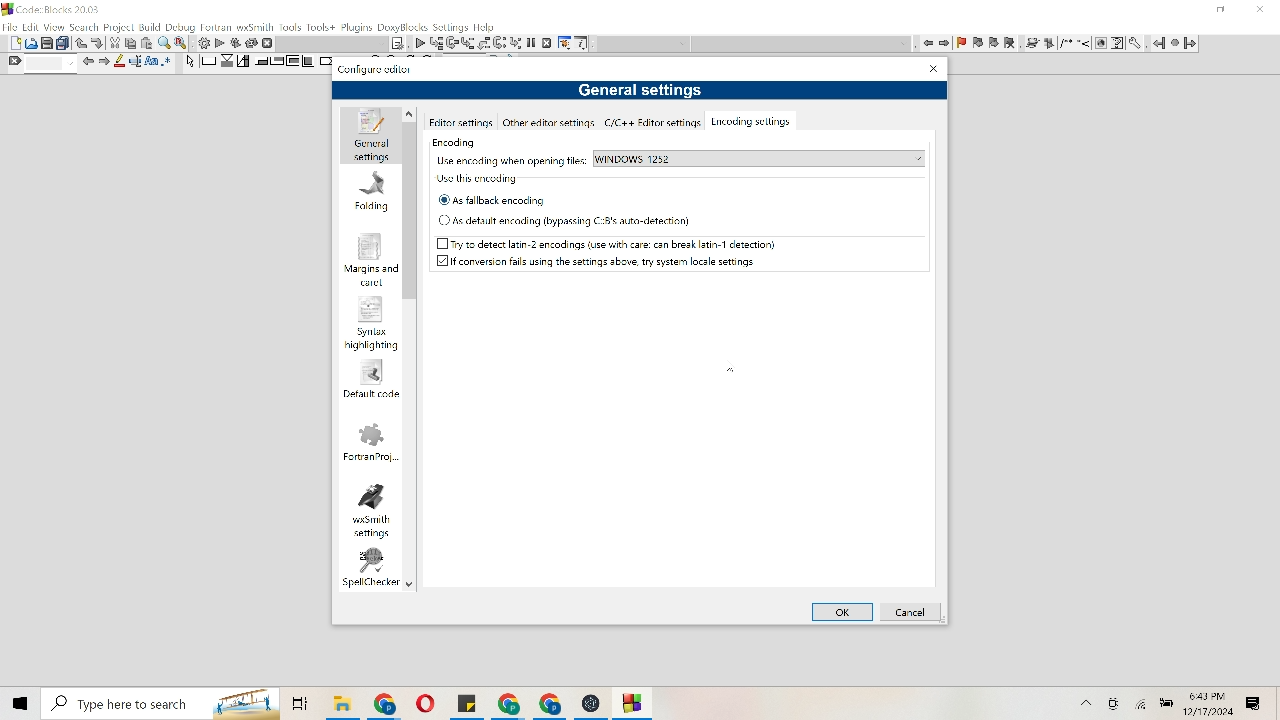 This screenshot has height=720, width=1280. I want to click on Note, so click(398, 43).